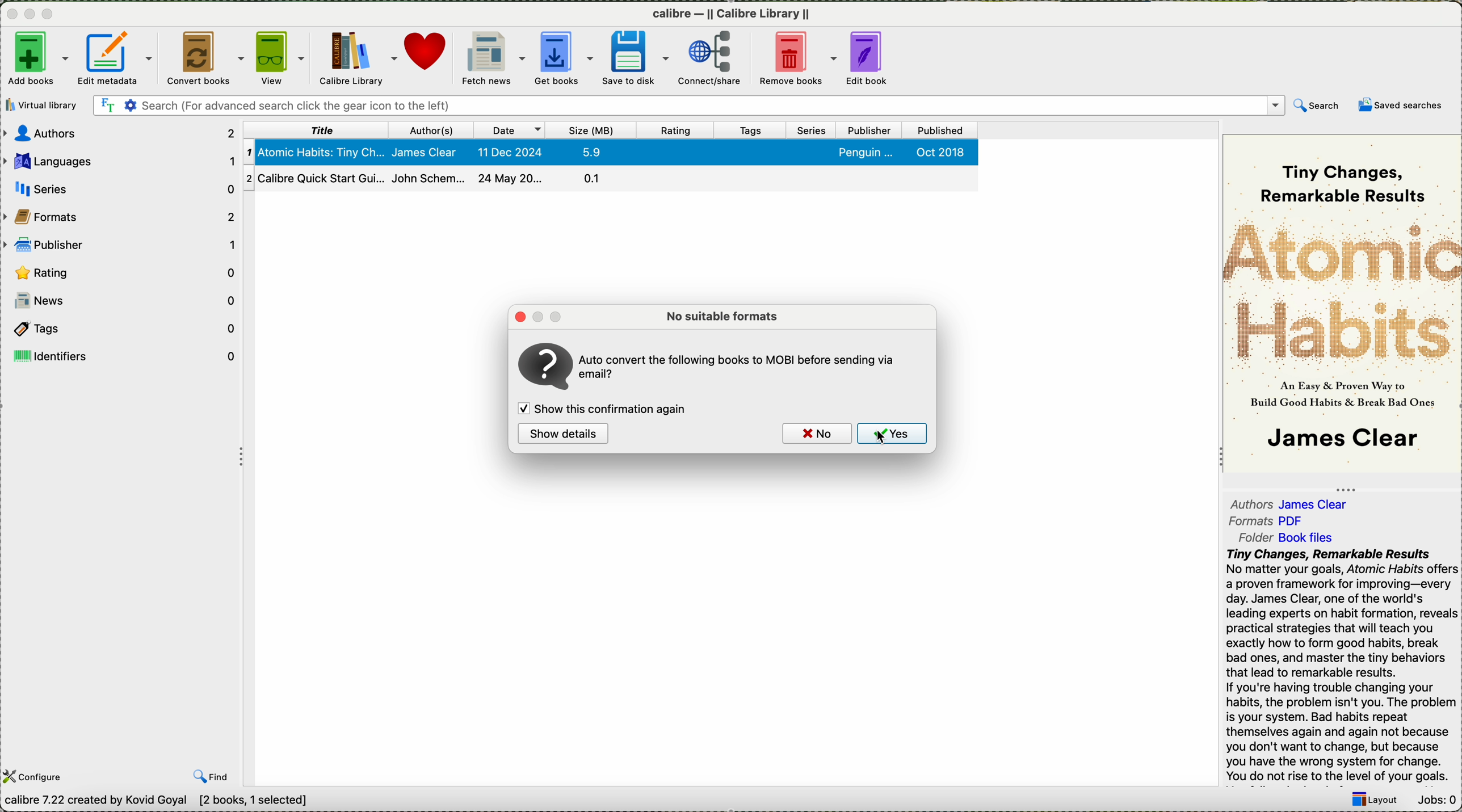 This screenshot has width=1462, height=812. What do you see at coordinates (39, 59) in the screenshot?
I see `add boks` at bounding box center [39, 59].